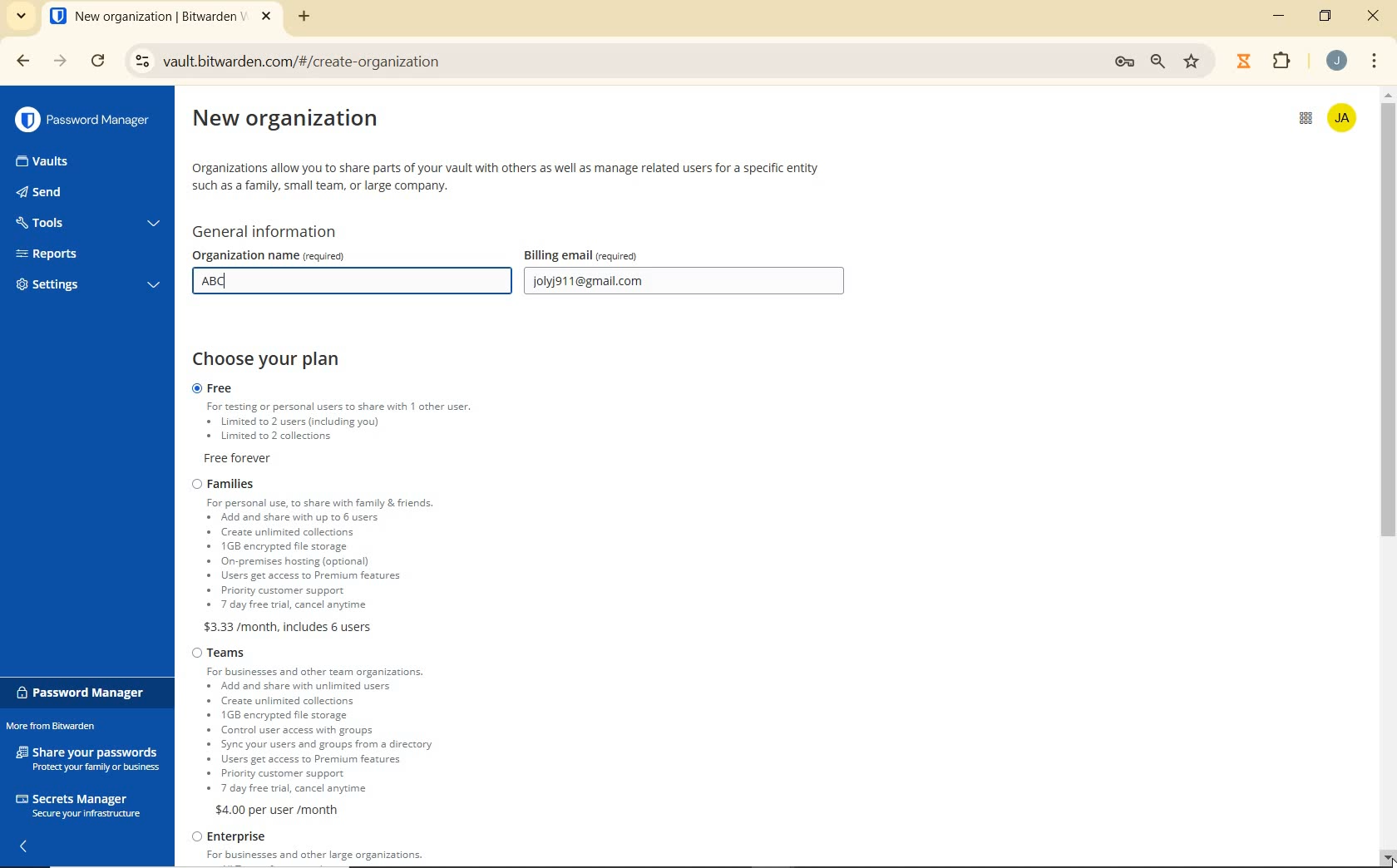  I want to click on preferences, so click(1123, 62).